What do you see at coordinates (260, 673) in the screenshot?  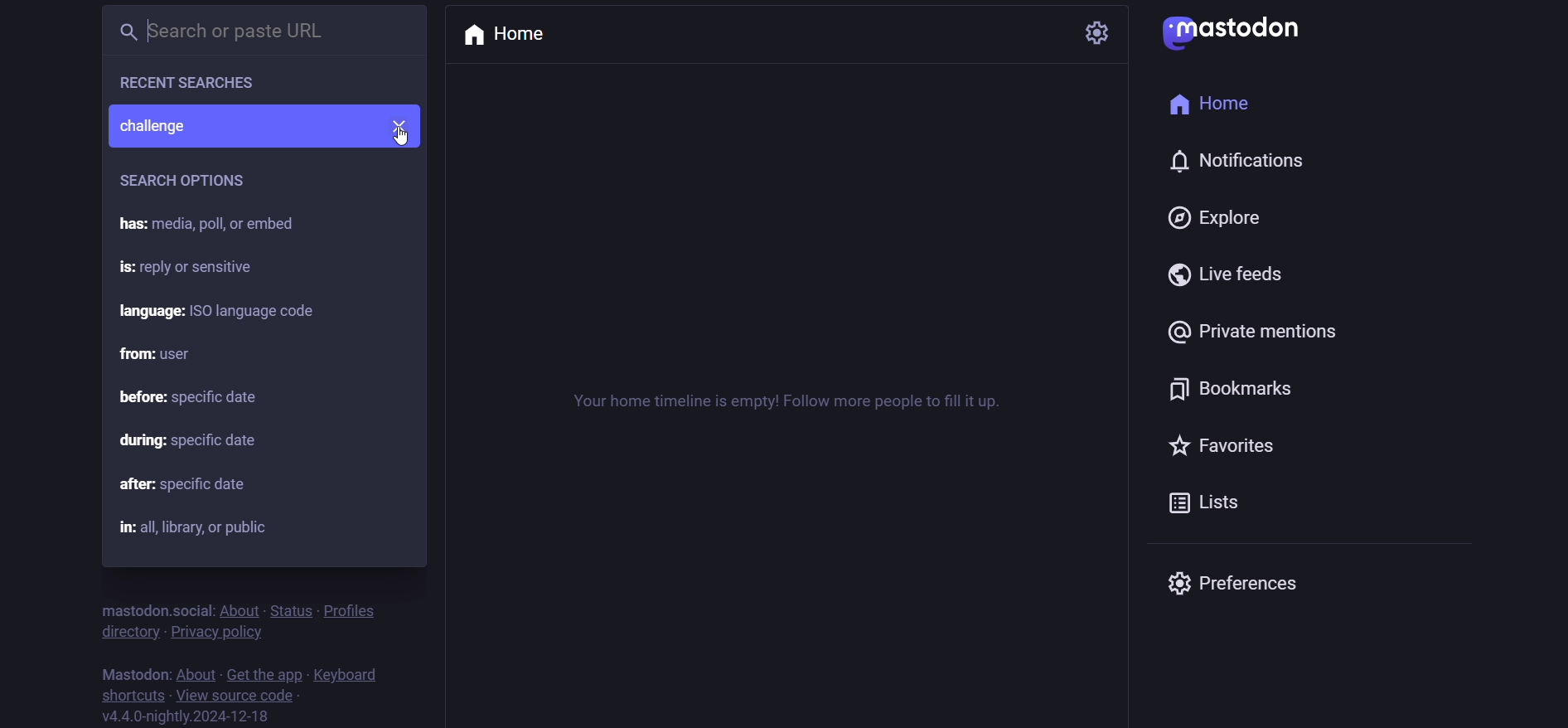 I see `get the app` at bounding box center [260, 673].